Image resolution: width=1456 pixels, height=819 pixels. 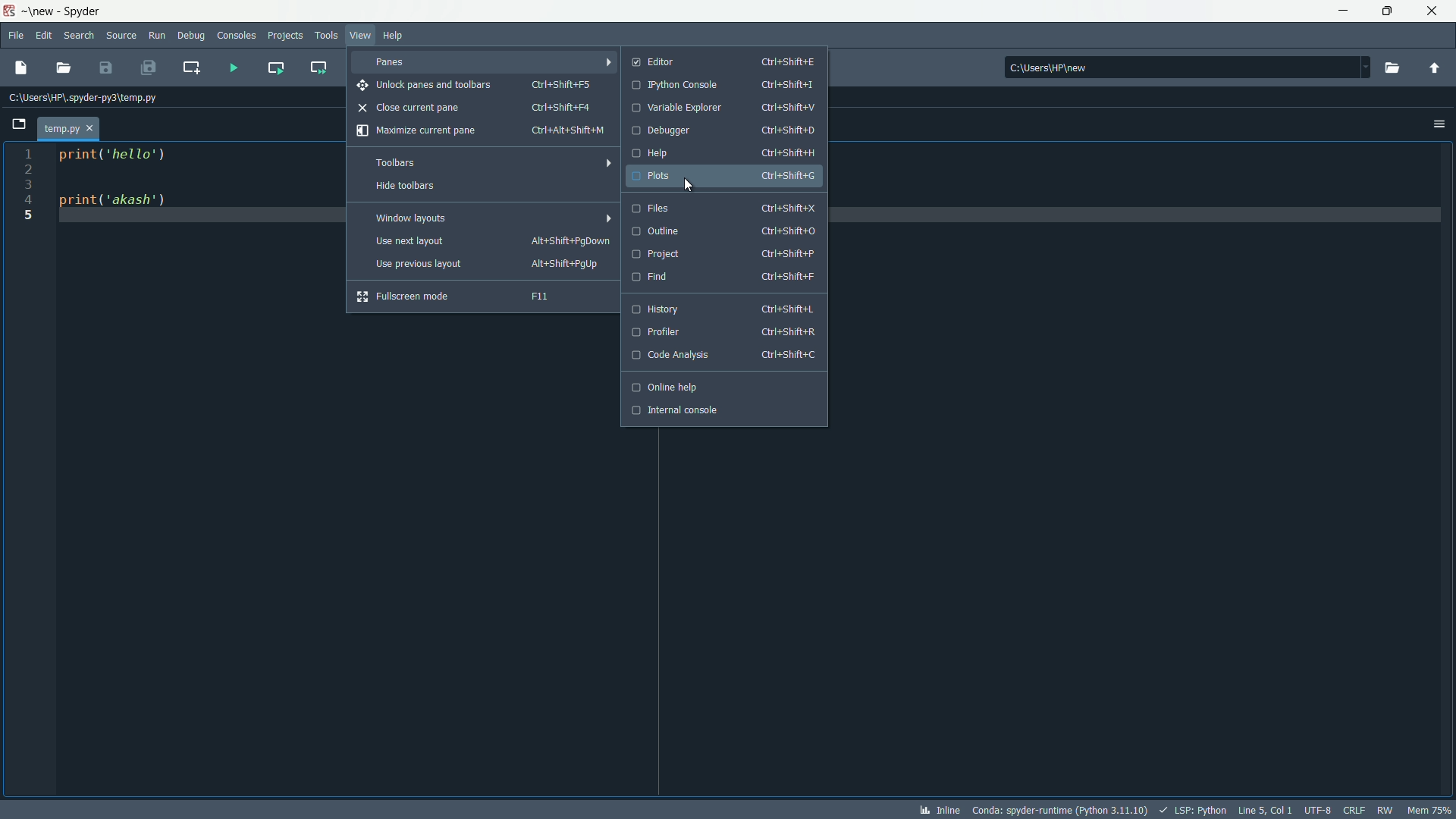 What do you see at coordinates (190, 34) in the screenshot?
I see `debug menu` at bounding box center [190, 34].